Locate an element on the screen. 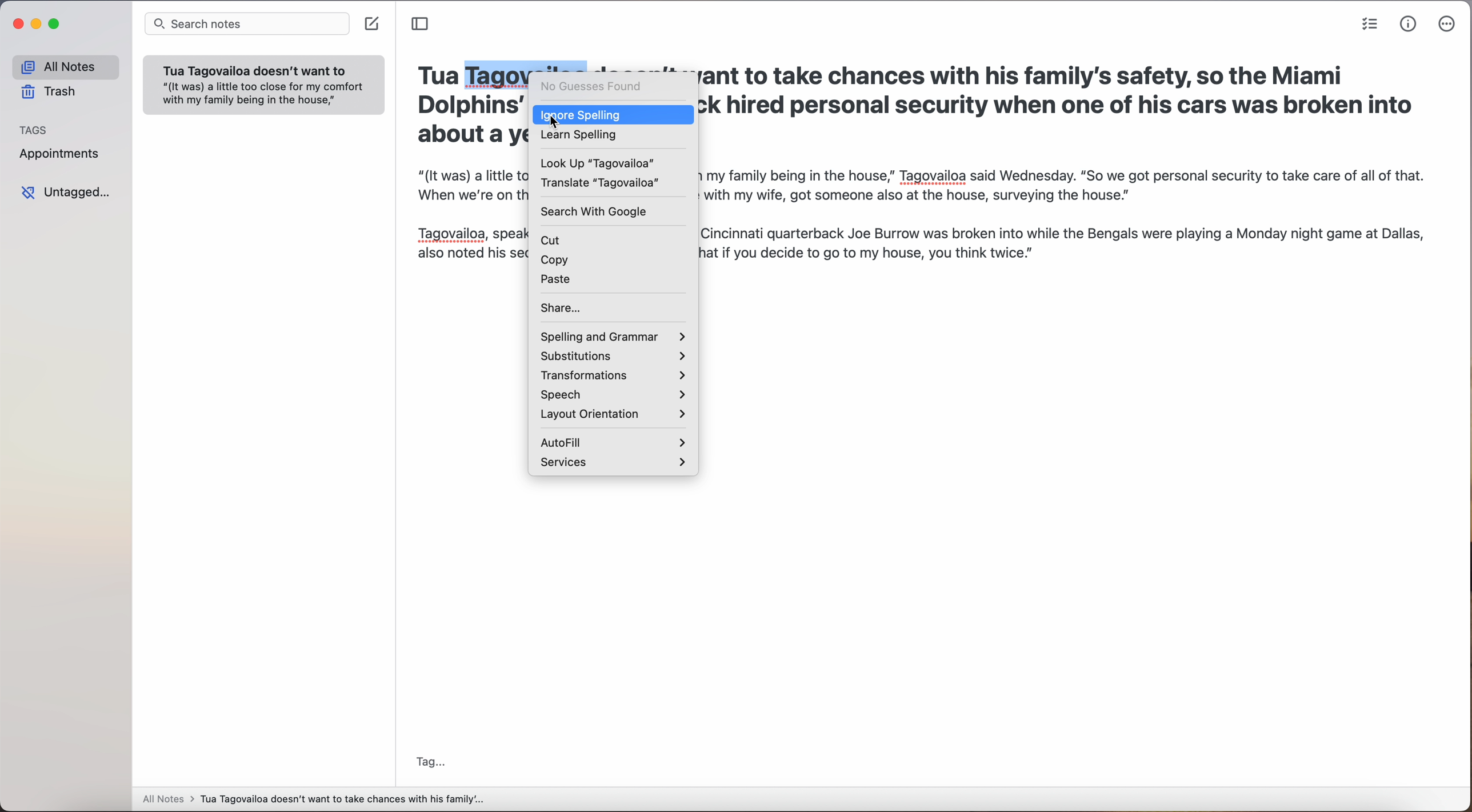 This screenshot has height=812, width=1472. metrics is located at coordinates (1409, 25).